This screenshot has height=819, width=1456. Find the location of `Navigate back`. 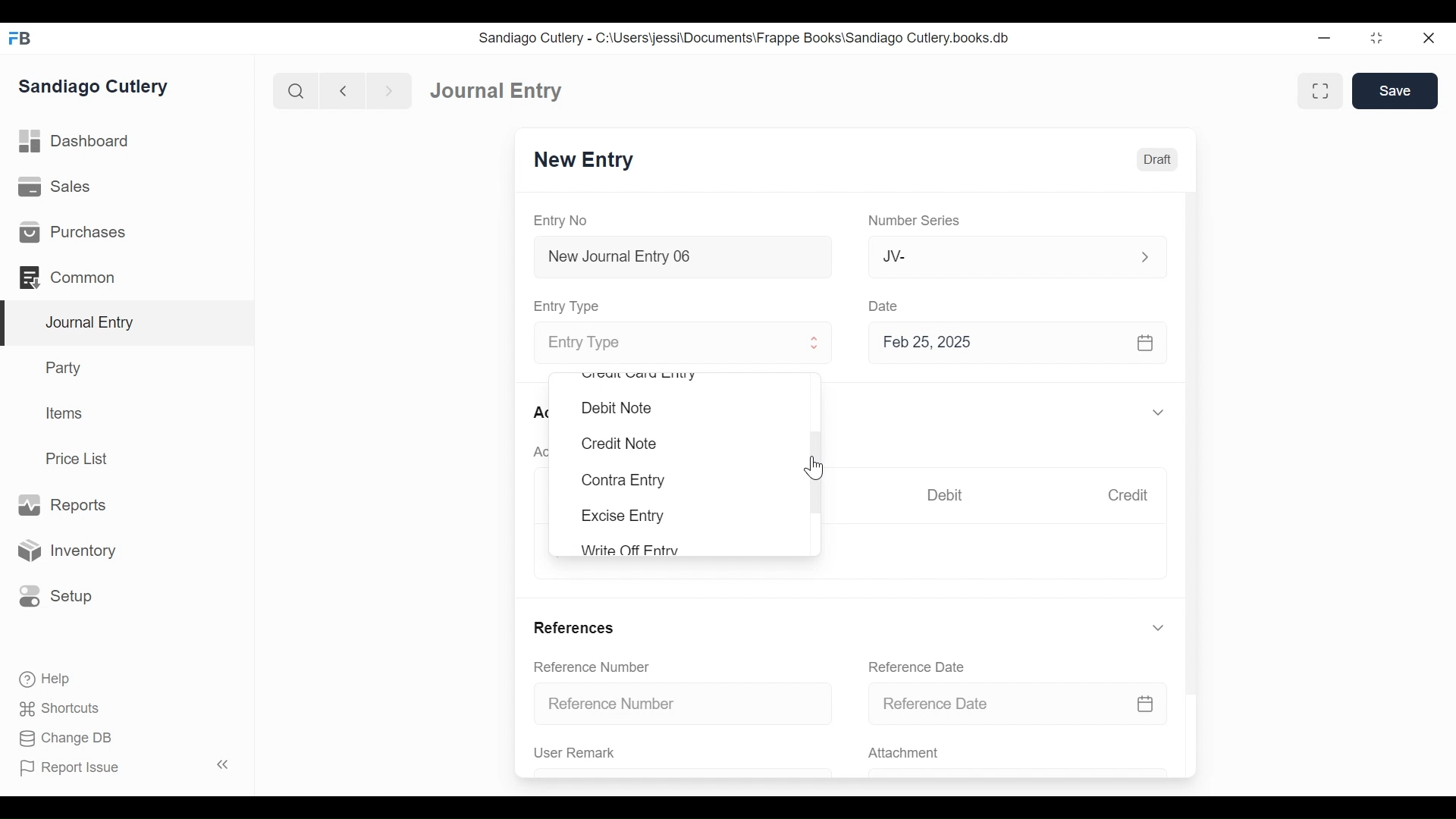

Navigate back is located at coordinates (343, 93).